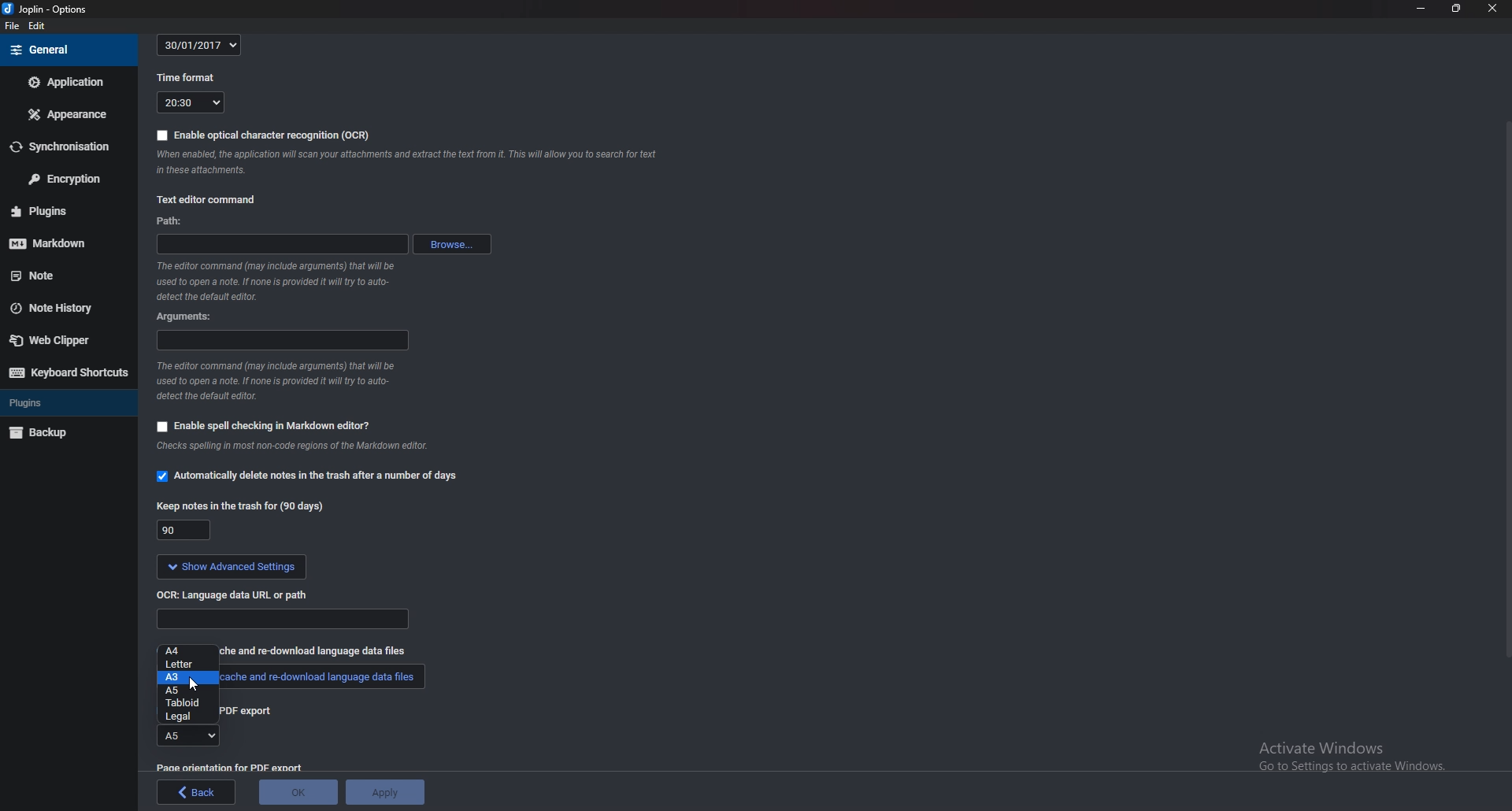  What do you see at coordinates (66, 402) in the screenshot?
I see `Plugins` at bounding box center [66, 402].